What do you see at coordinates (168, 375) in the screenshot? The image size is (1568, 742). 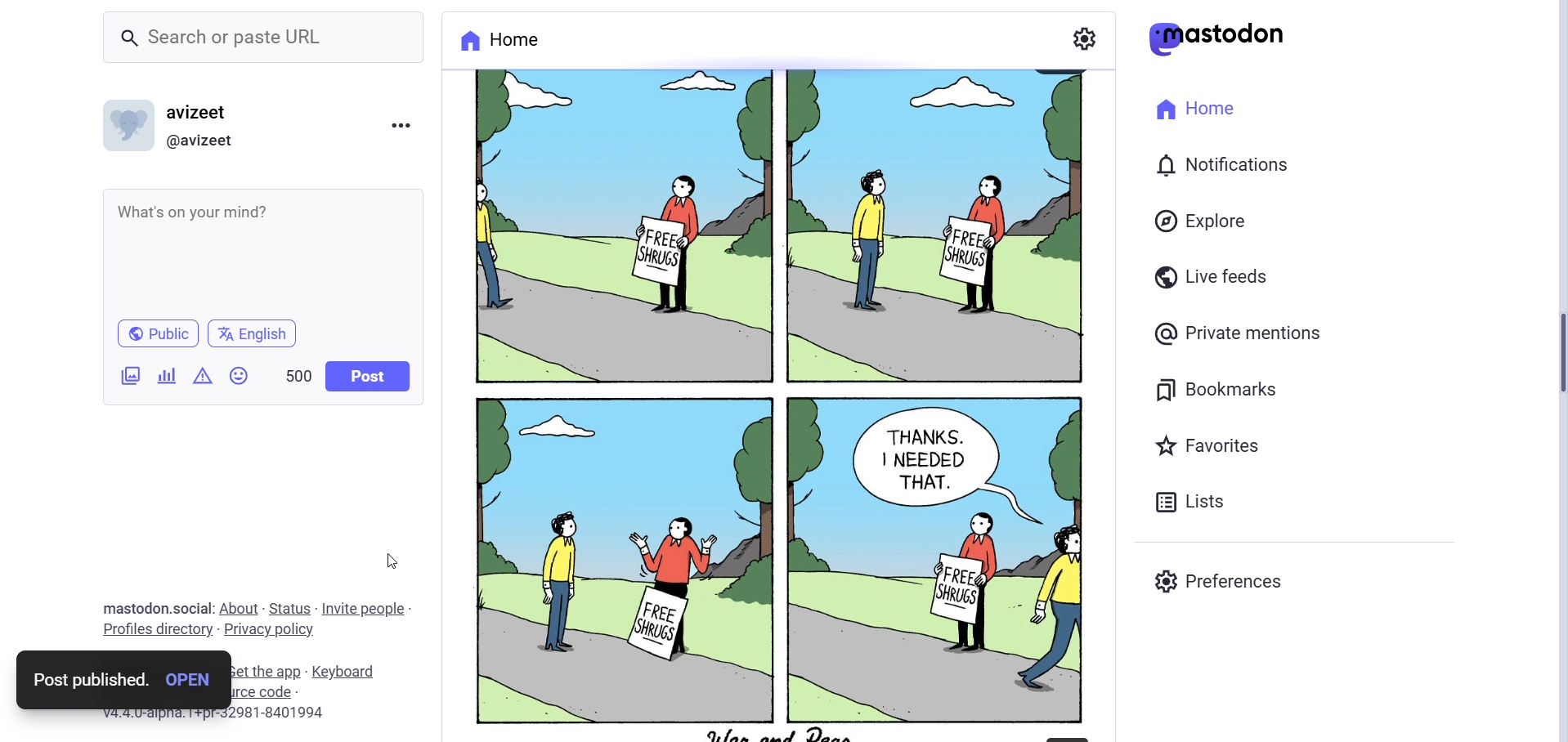 I see `Poll` at bounding box center [168, 375].